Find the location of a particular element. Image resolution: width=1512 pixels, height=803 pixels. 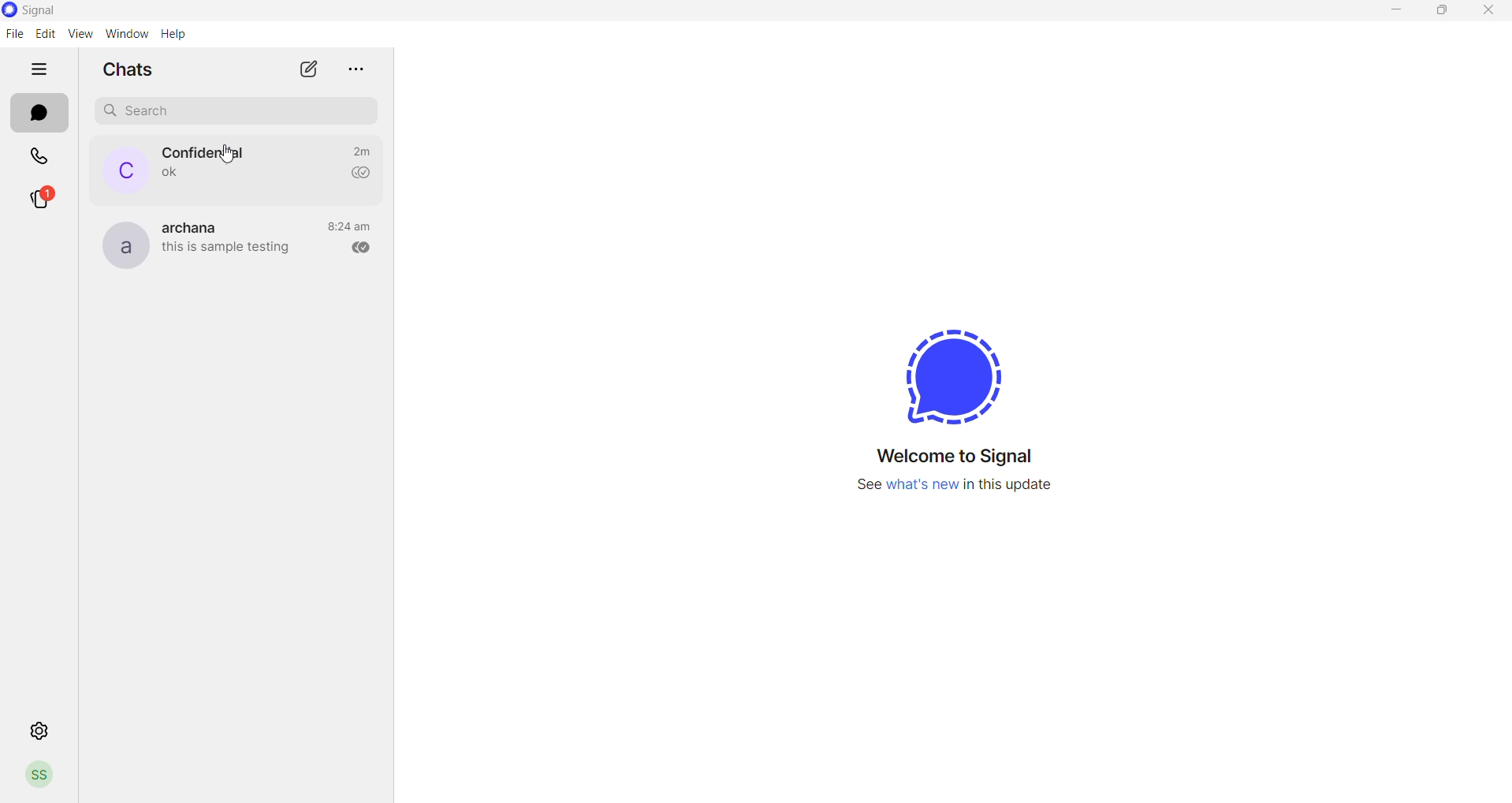

read recipient  is located at coordinates (356, 248).